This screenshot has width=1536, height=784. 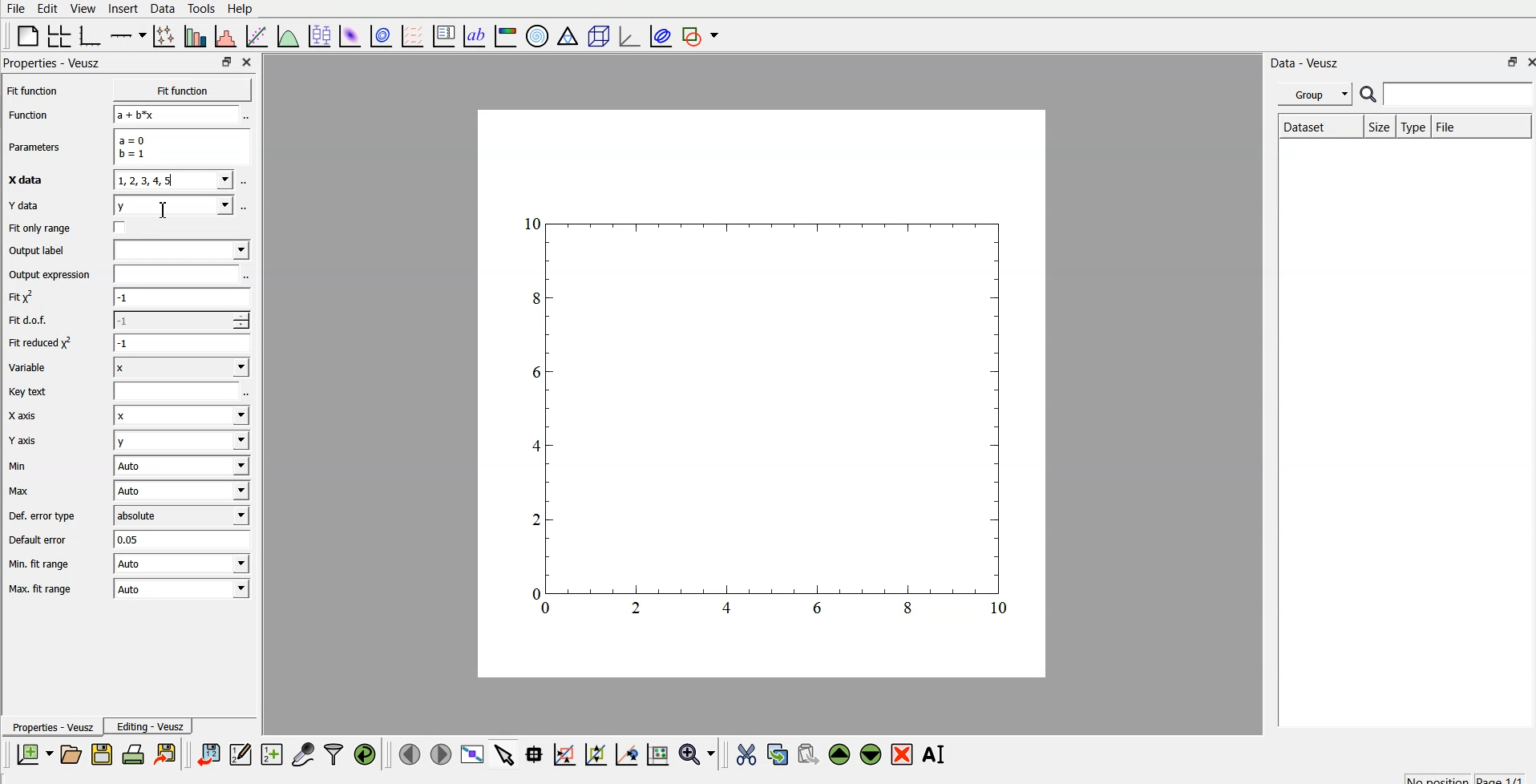 What do you see at coordinates (38, 393) in the screenshot?
I see `Key text` at bounding box center [38, 393].